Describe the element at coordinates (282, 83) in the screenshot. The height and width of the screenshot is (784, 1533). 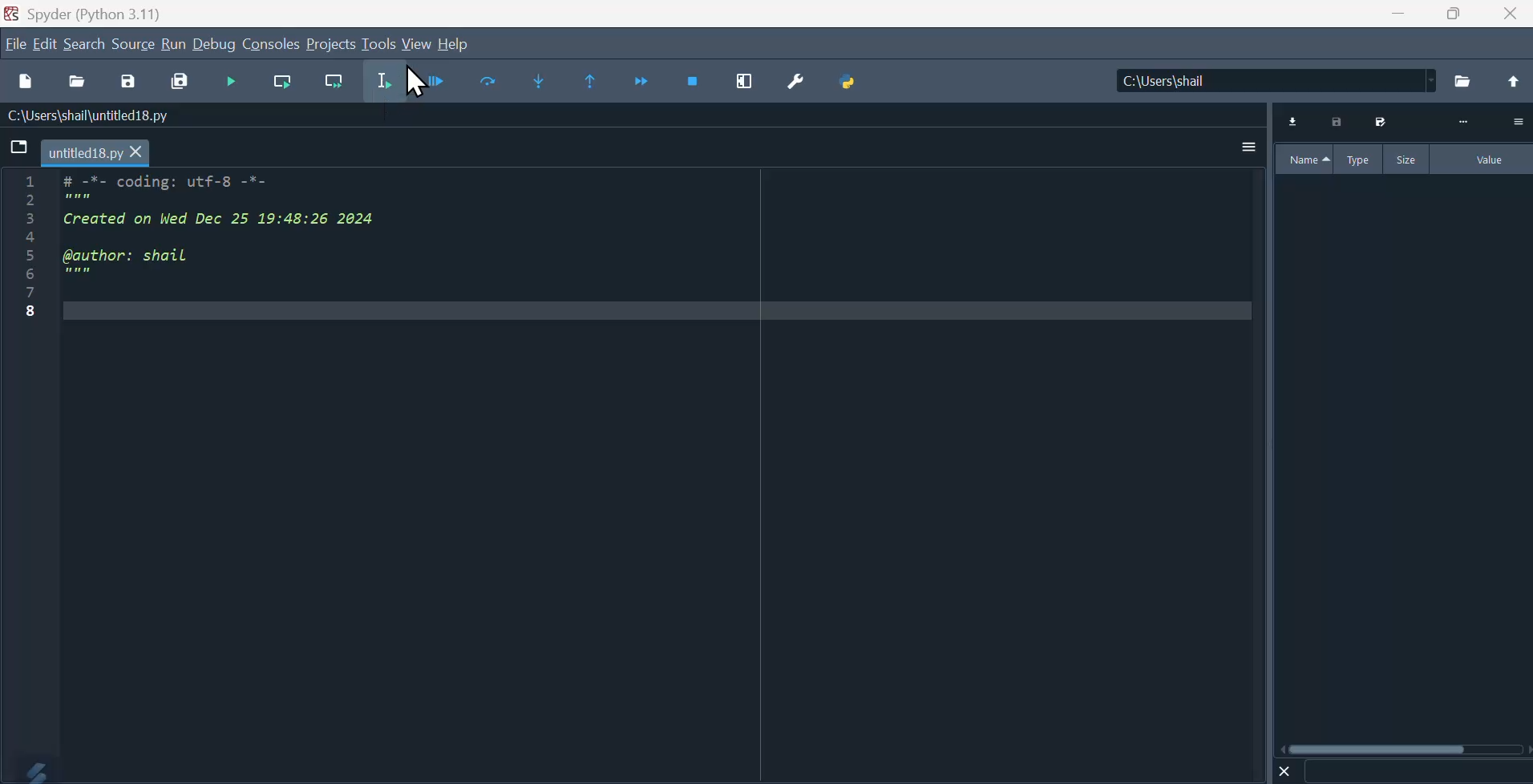
I see `Run current cell` at that location.